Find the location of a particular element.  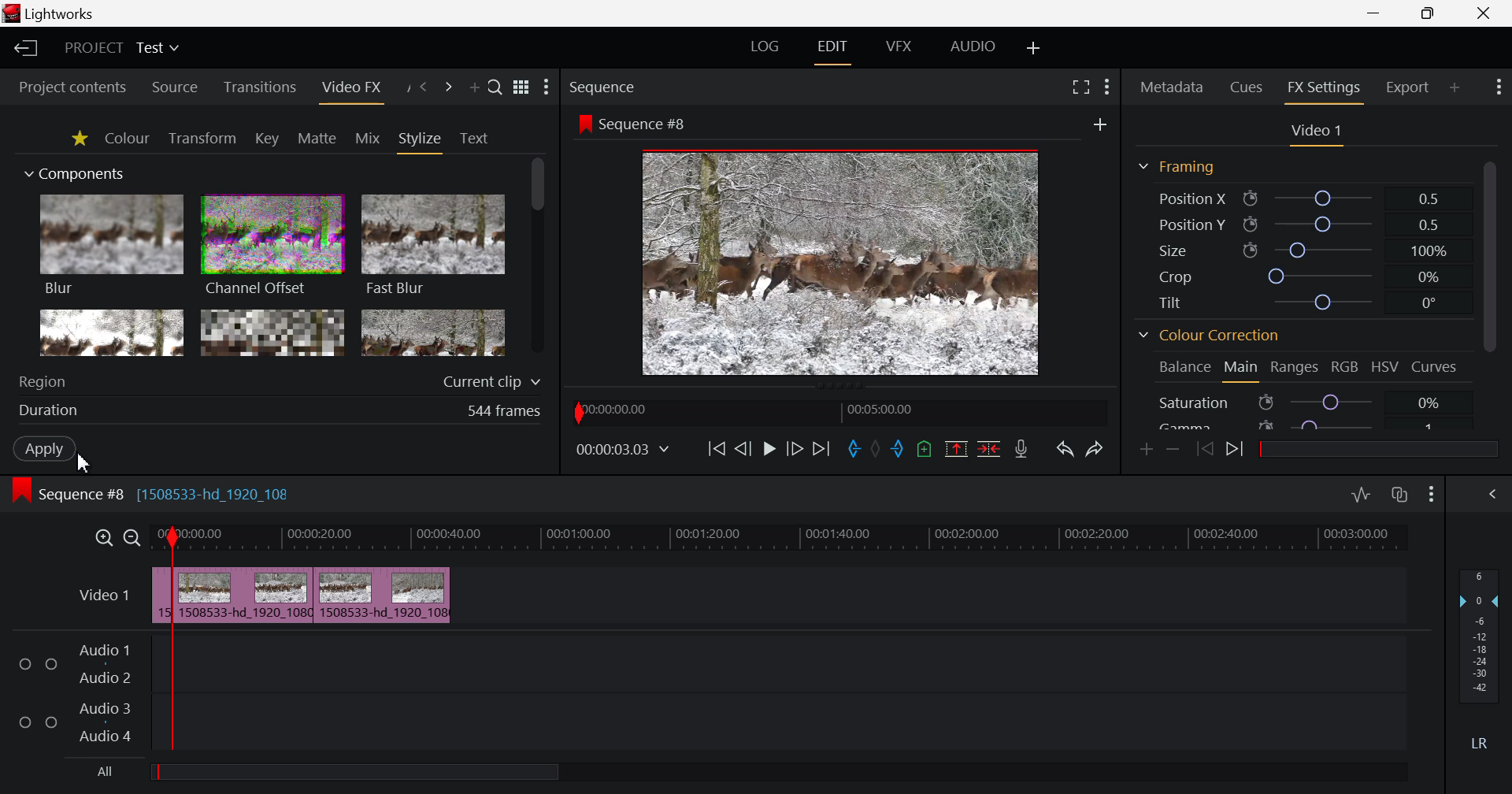

Size is located at coordinates (1299, 250).